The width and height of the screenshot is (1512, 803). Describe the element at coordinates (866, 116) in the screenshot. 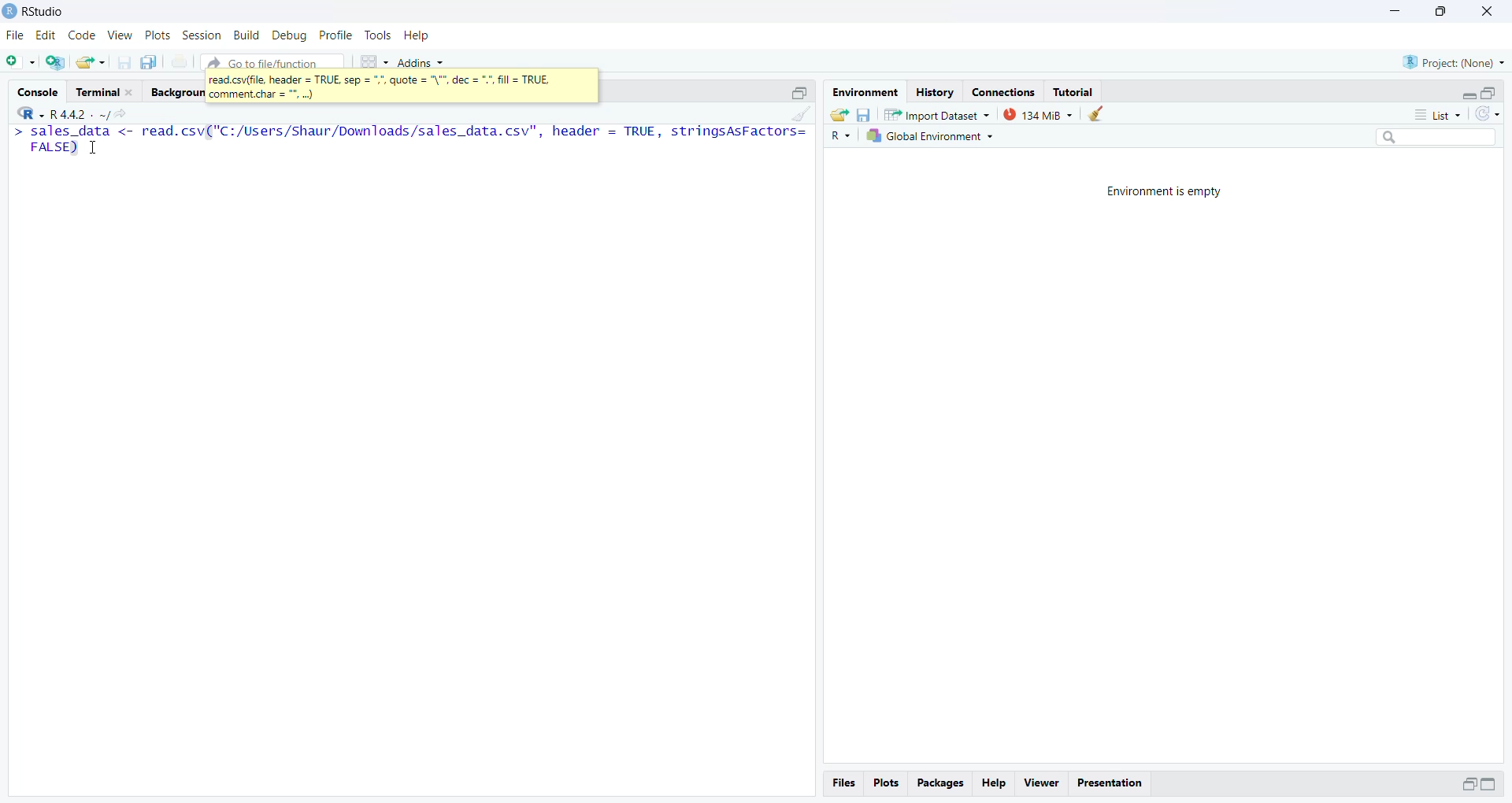

I see `Save workspace as` at that location.